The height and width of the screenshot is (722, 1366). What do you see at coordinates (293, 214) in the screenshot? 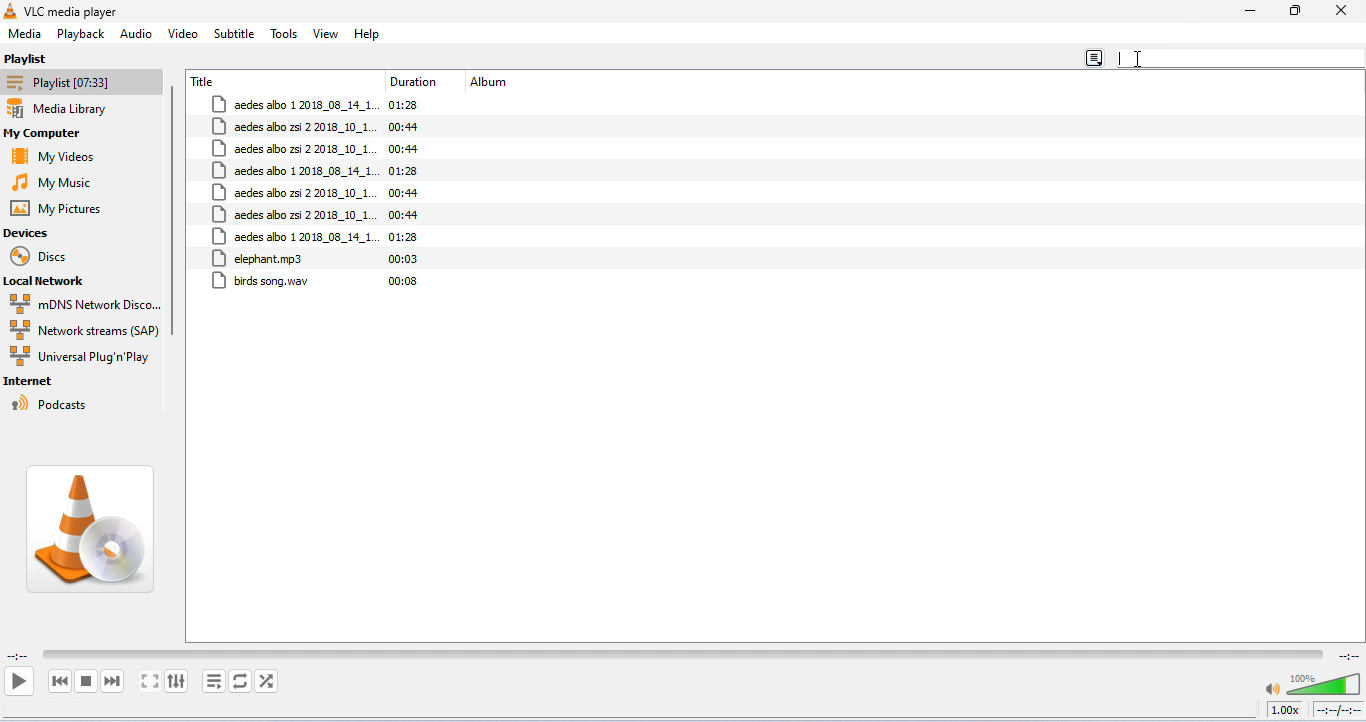
I see `aedes albo zsi 2 2018_08_10_1` at bounding box center [293, 214].